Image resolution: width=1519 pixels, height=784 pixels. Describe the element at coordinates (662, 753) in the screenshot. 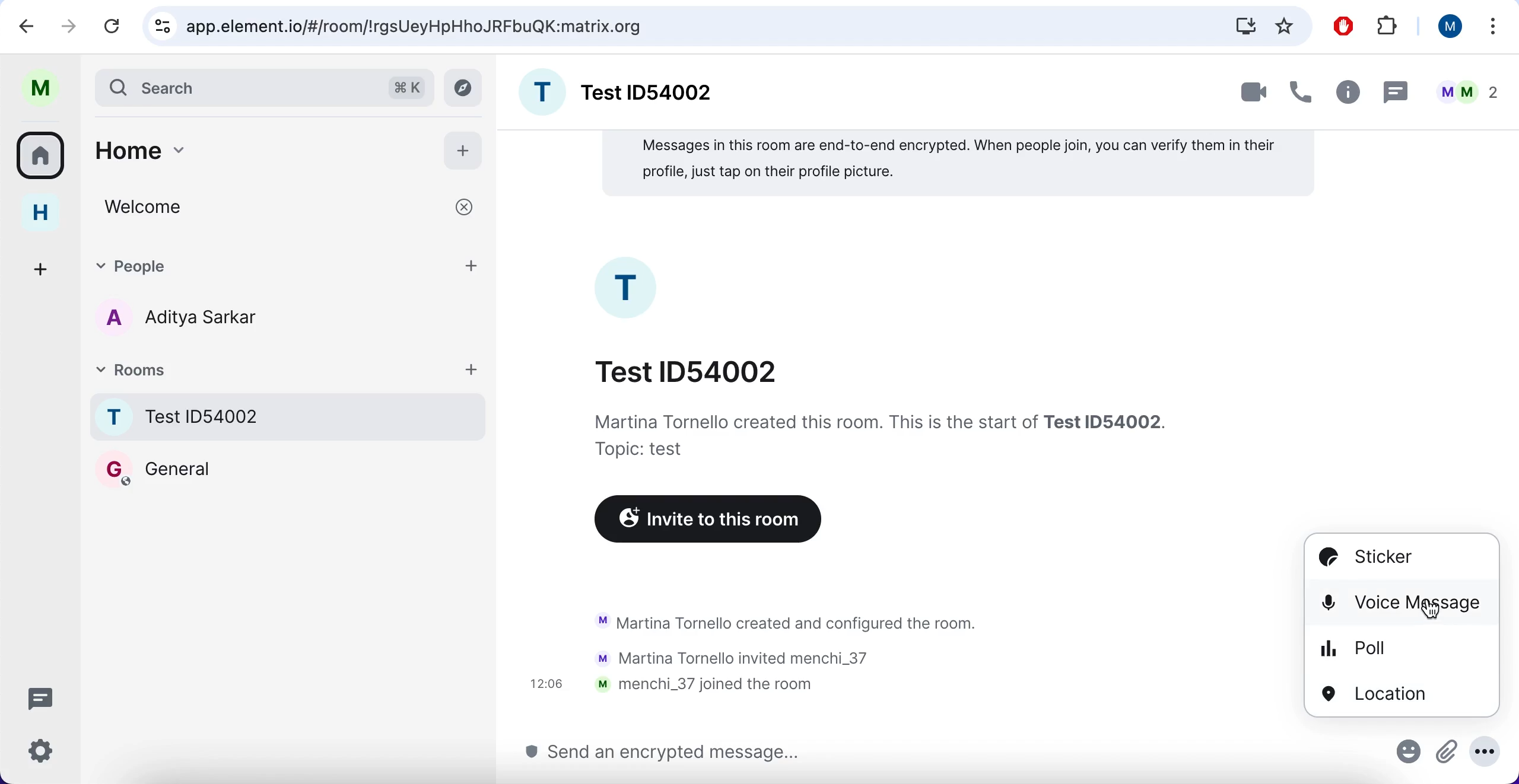

I see `send an encrypted message` at that location.